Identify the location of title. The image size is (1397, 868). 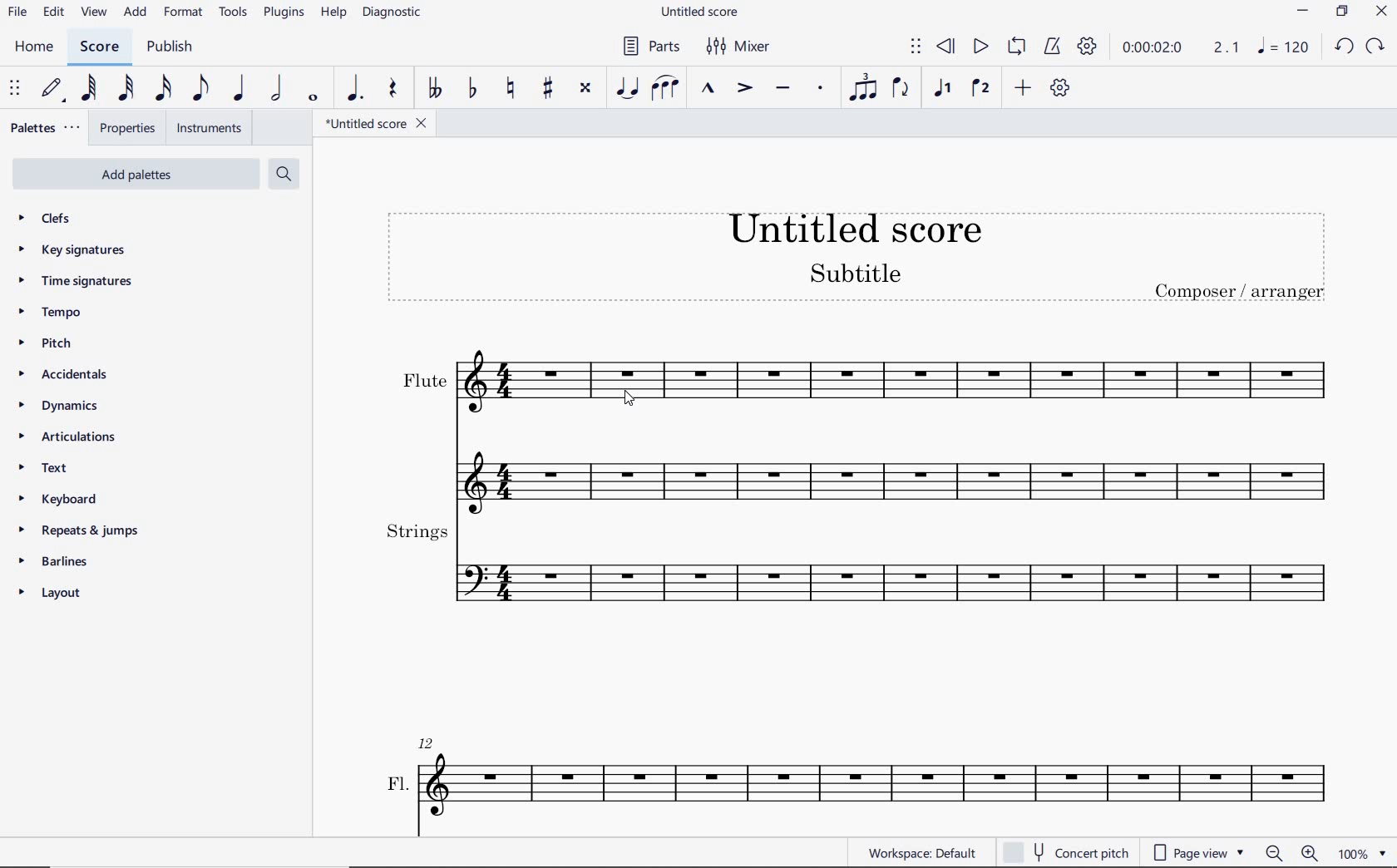
(857, 258).